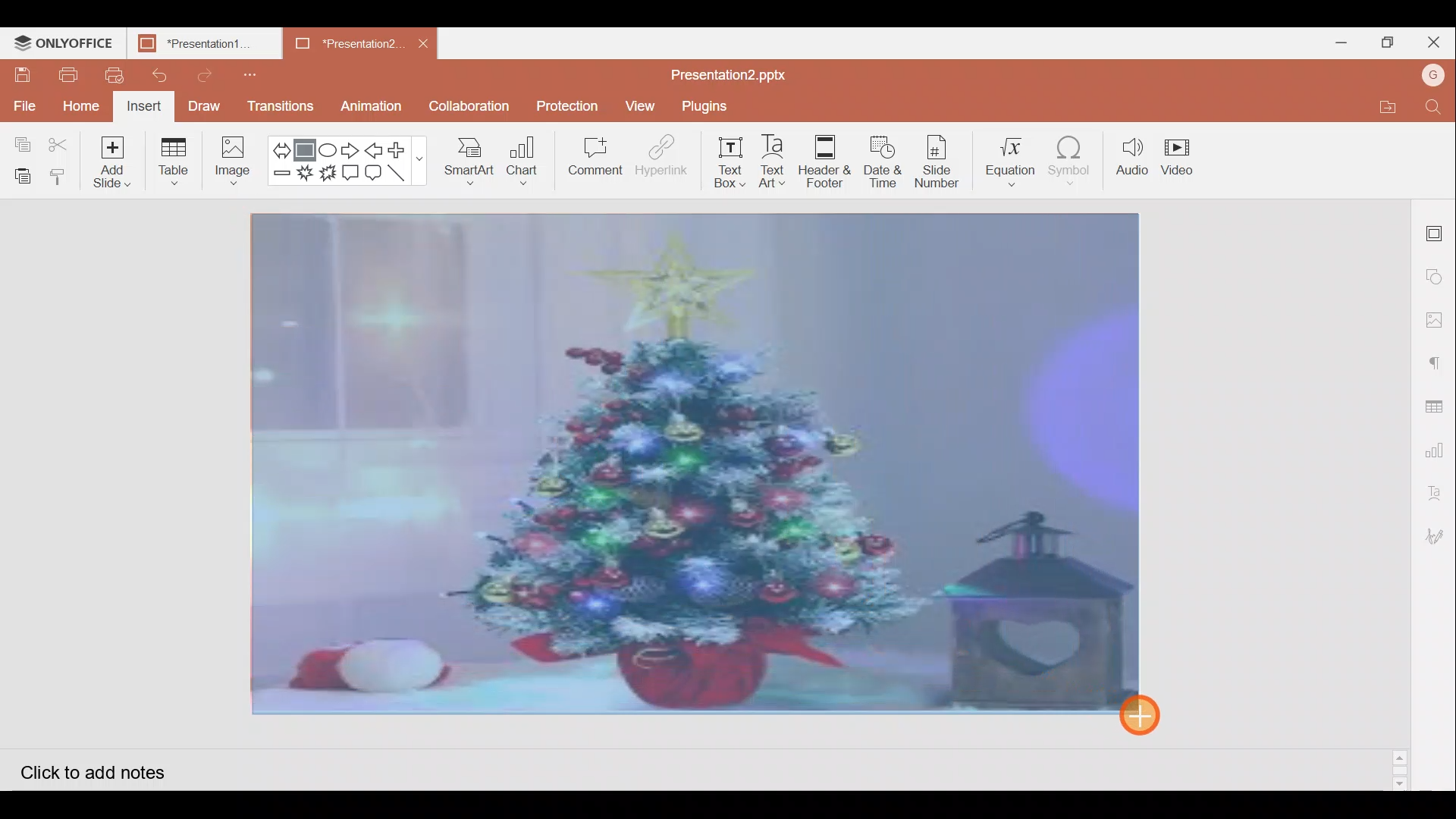  What do you see at coordinates (638, 106) in the screenshot?
I see `View` at bounding box center [638, 106].